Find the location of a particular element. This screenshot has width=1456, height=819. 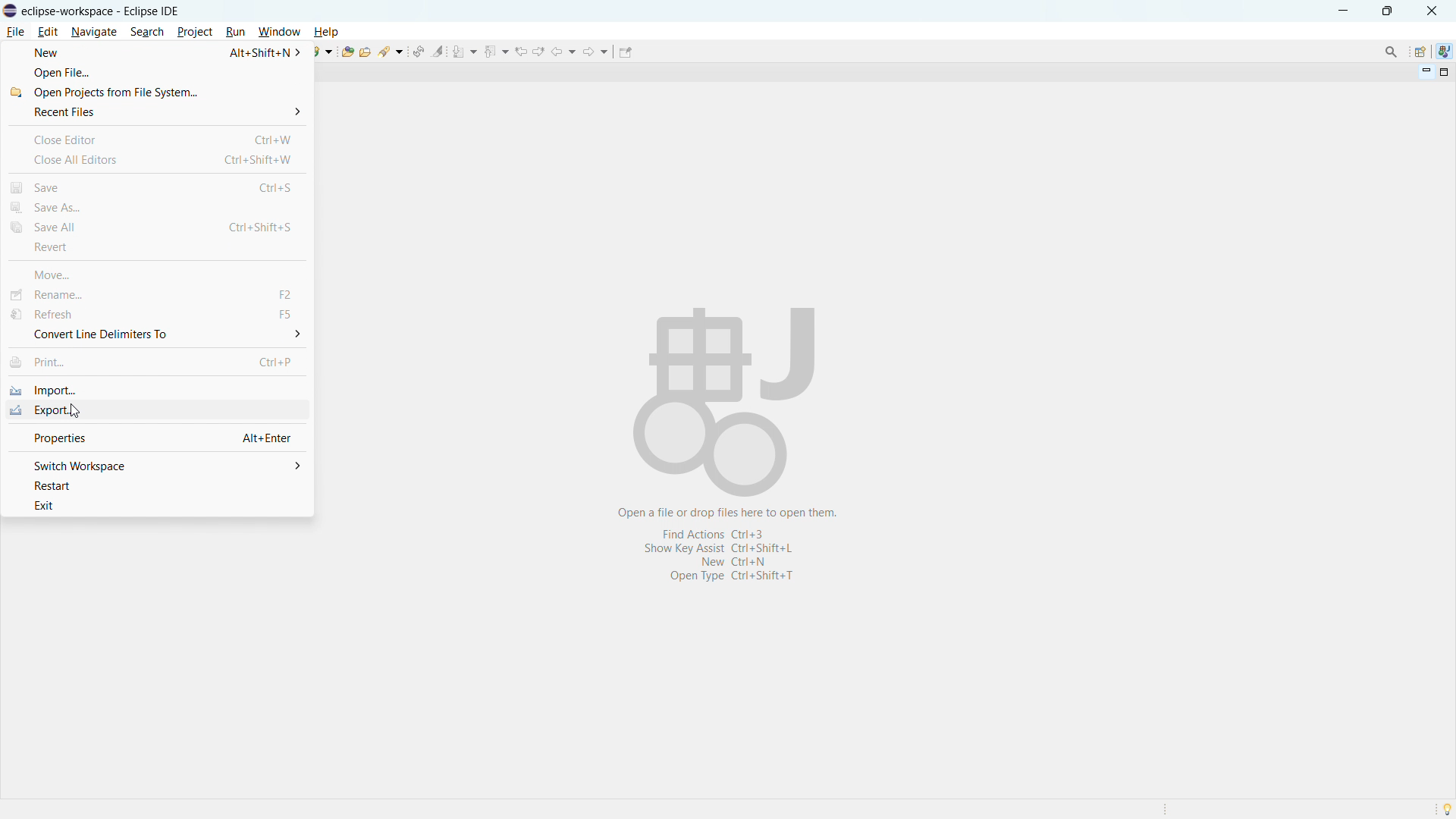

rename is located at coordinates (158, 294).